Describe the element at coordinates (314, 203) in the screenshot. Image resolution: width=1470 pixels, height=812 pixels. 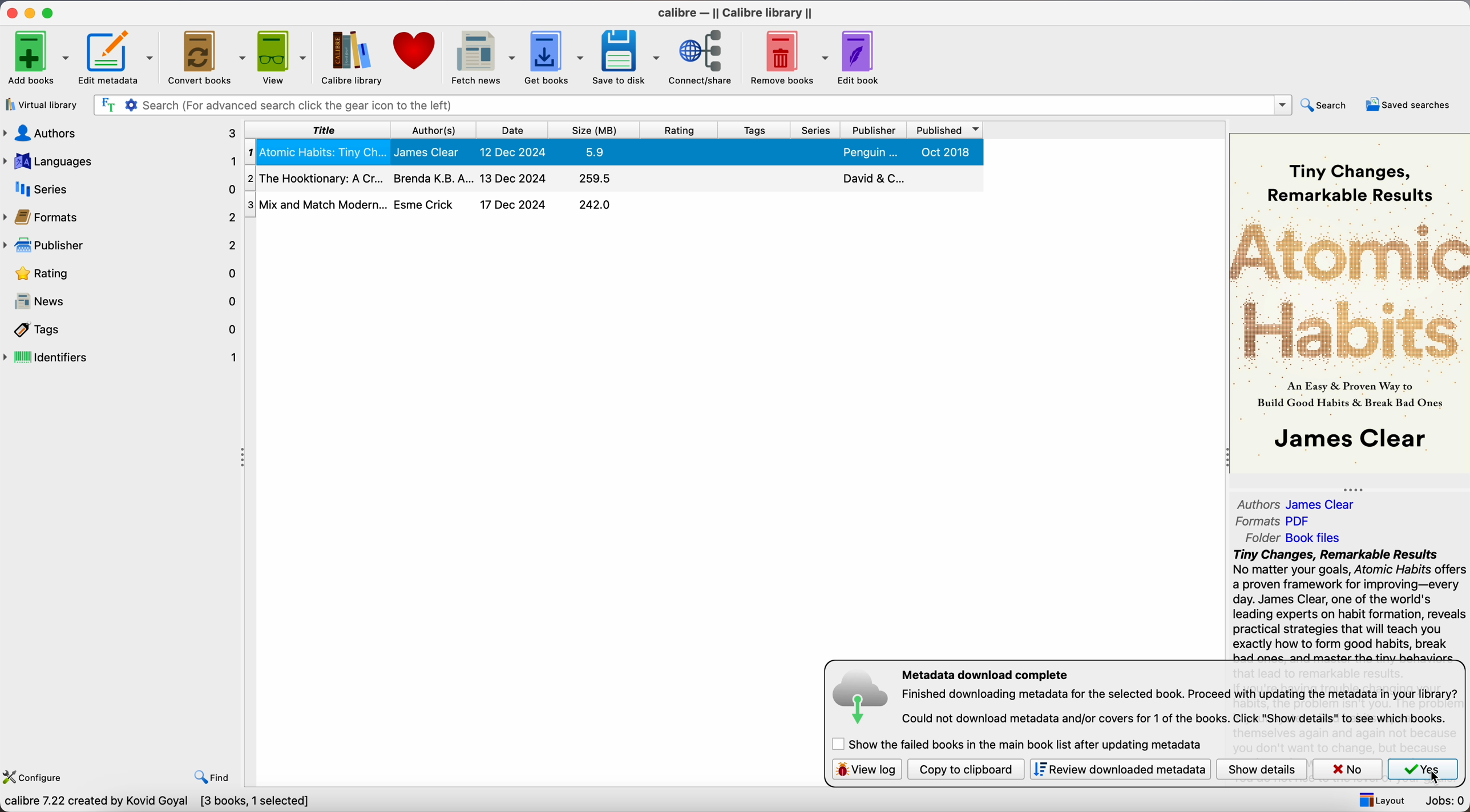
I see `Mix and Match Modern...` at that location.